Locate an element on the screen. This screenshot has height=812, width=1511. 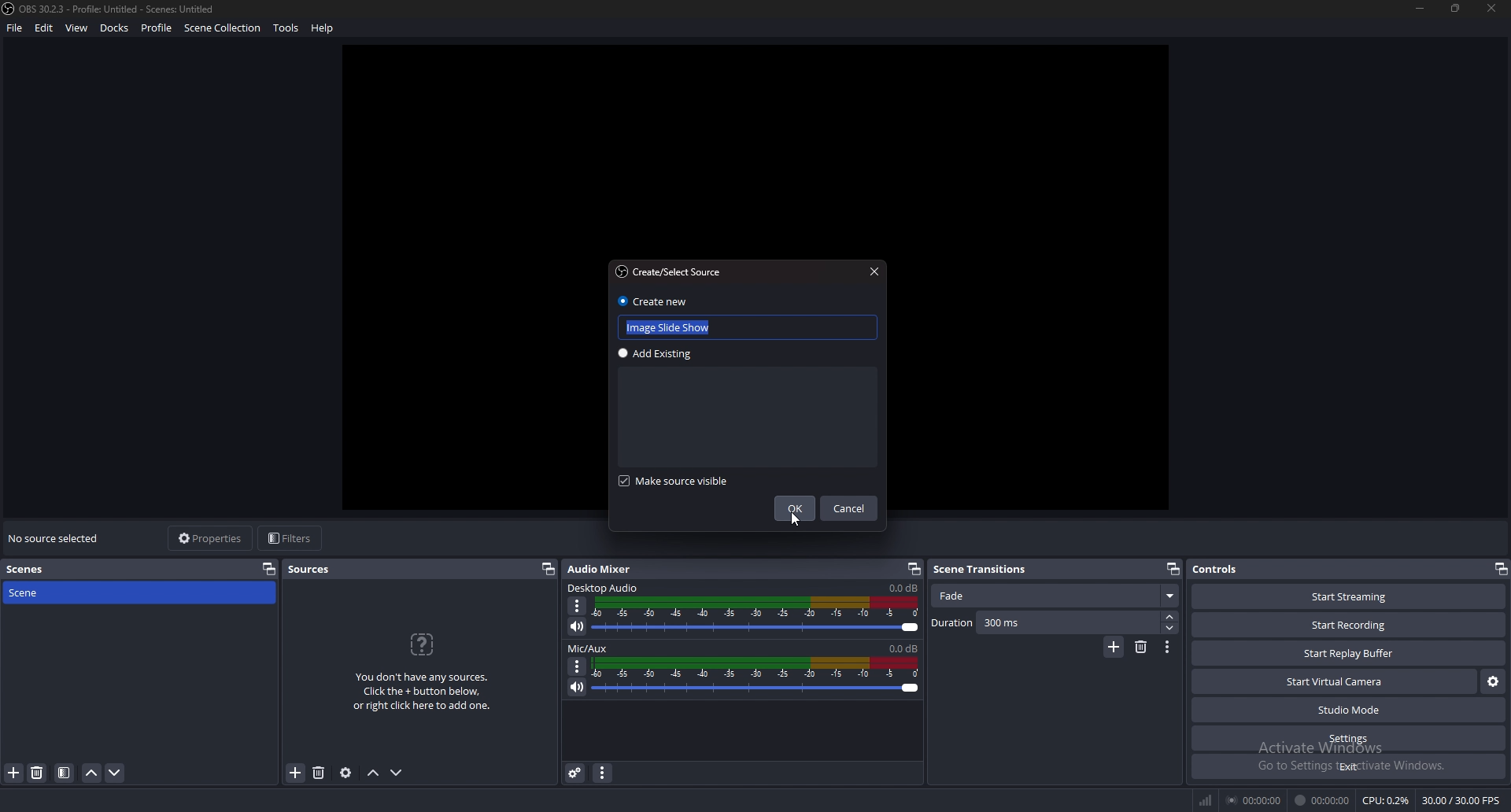
volume adjust is located at coordinates (756, 615).